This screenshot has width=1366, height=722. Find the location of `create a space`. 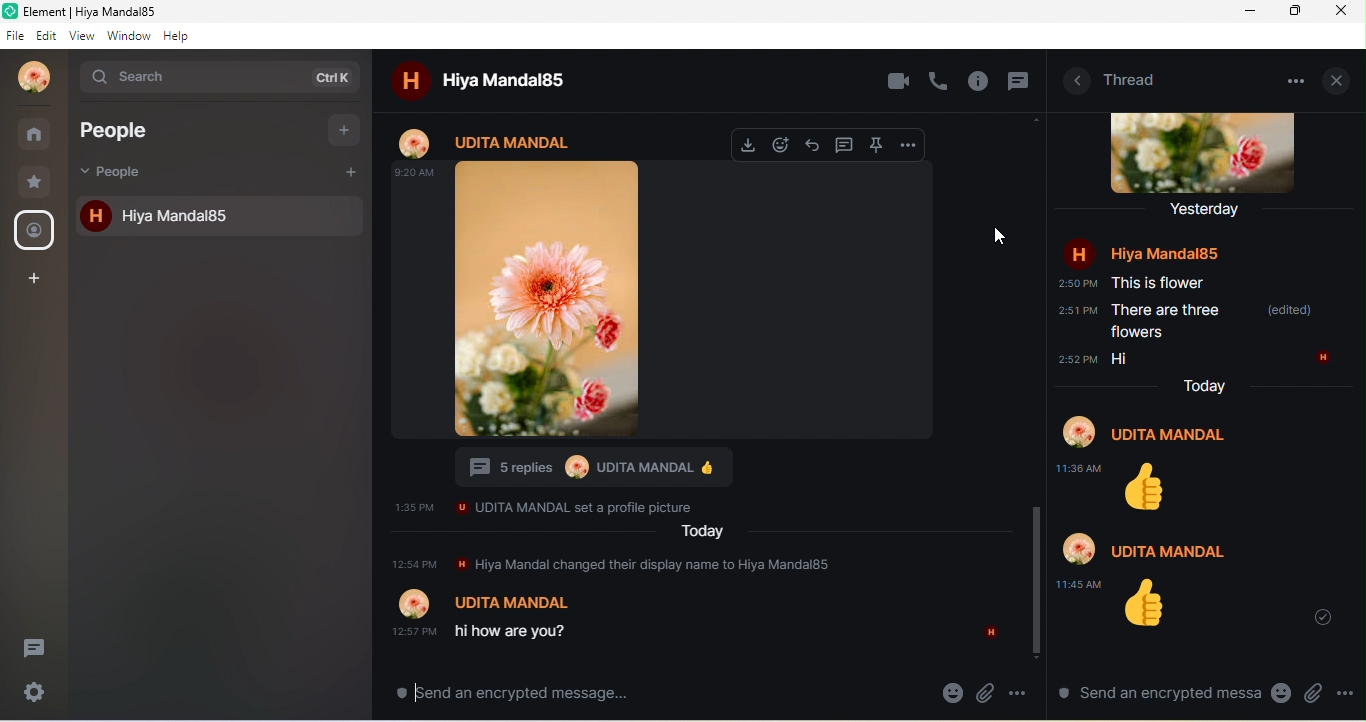

create a space is located at coordinates (35, 279).